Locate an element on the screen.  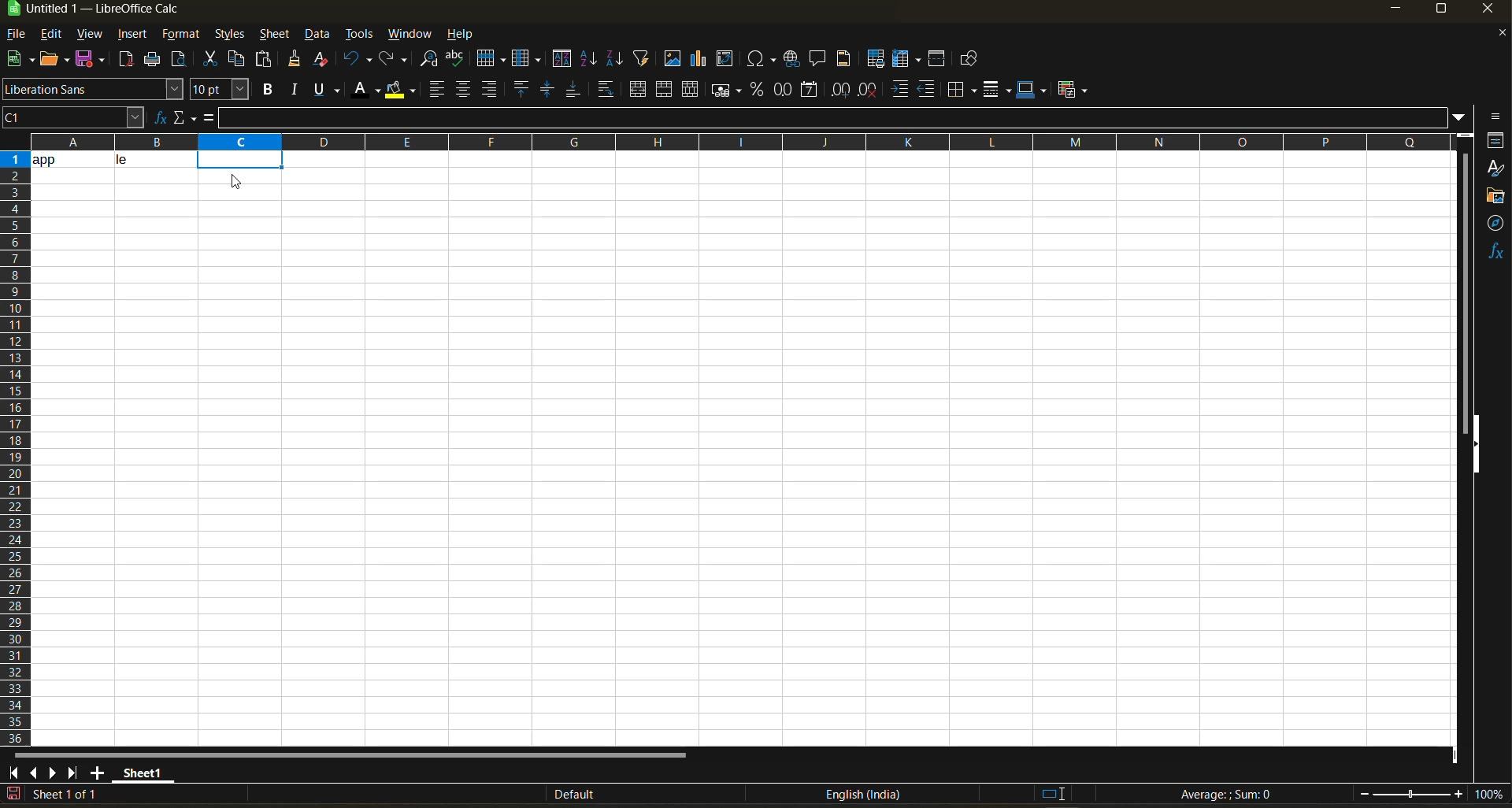
split window is located at coordinates (939, 60).